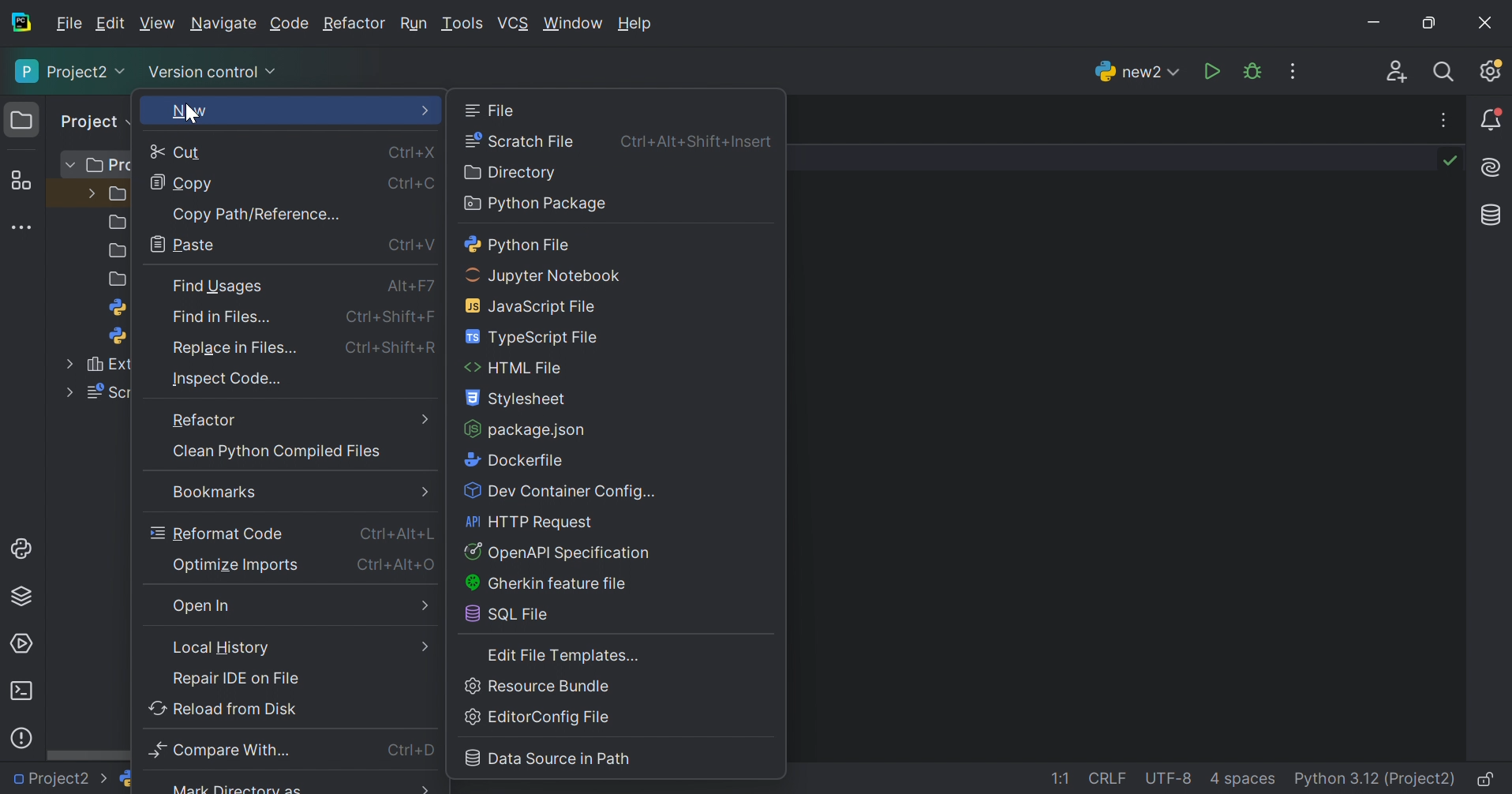  What do you see at coordinates (238, 348) in the screenshot?
I see `Replace in files` at bounding box center [238, 348].